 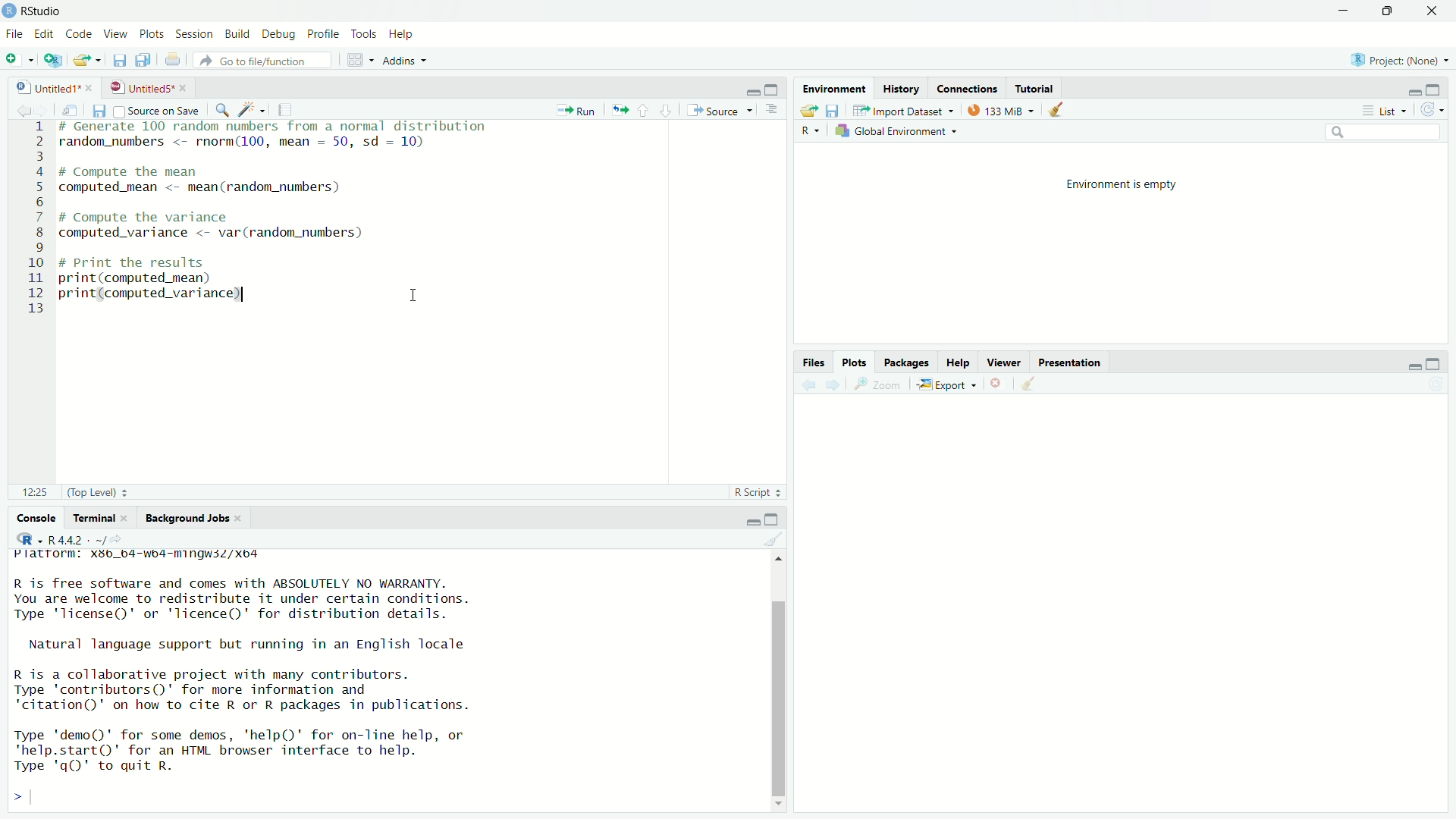 I want to click on import dataset, so click(x=908, y=108).